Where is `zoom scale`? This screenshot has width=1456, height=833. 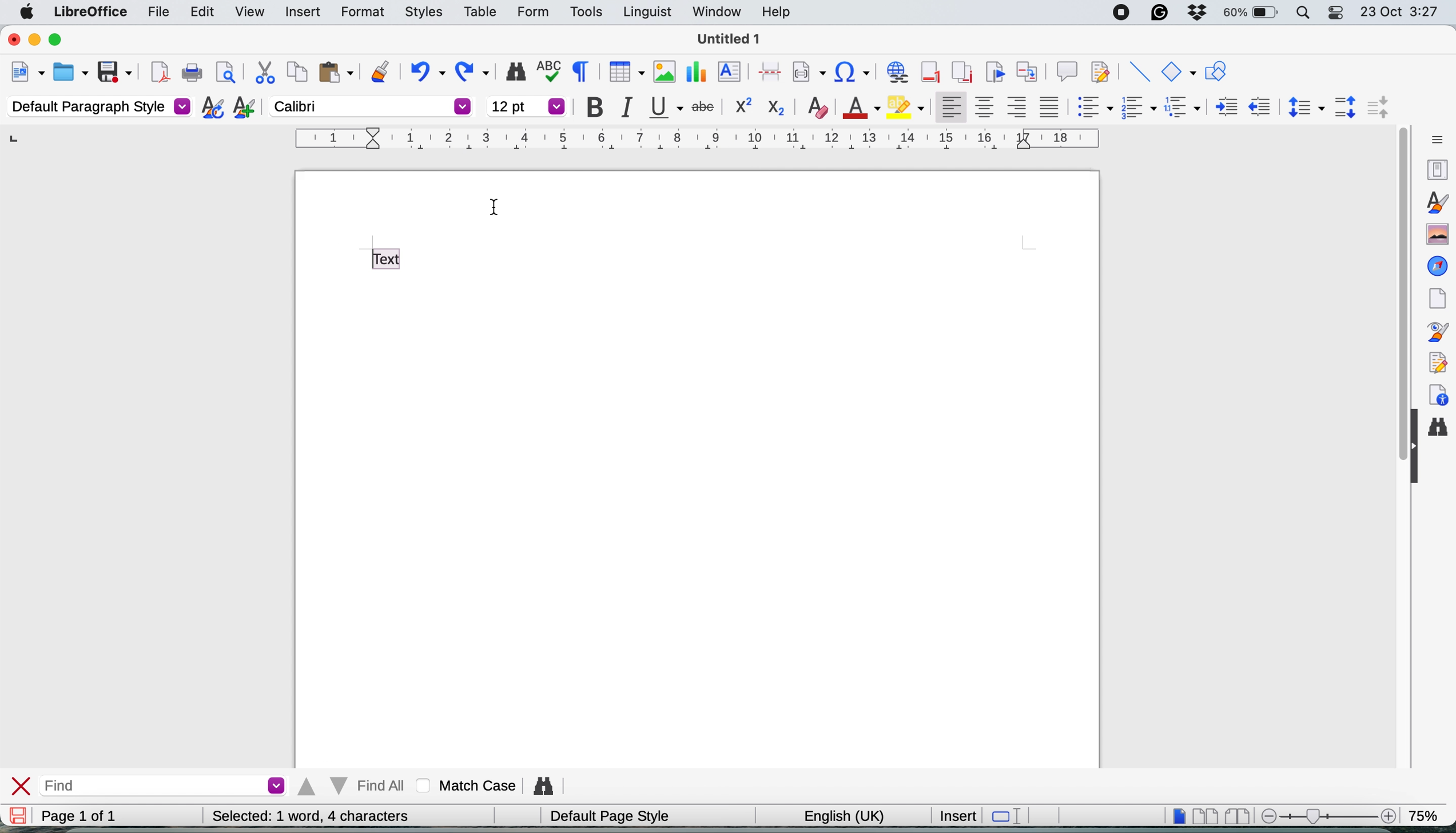
zoom scale is located at coordinates (1326, 815).